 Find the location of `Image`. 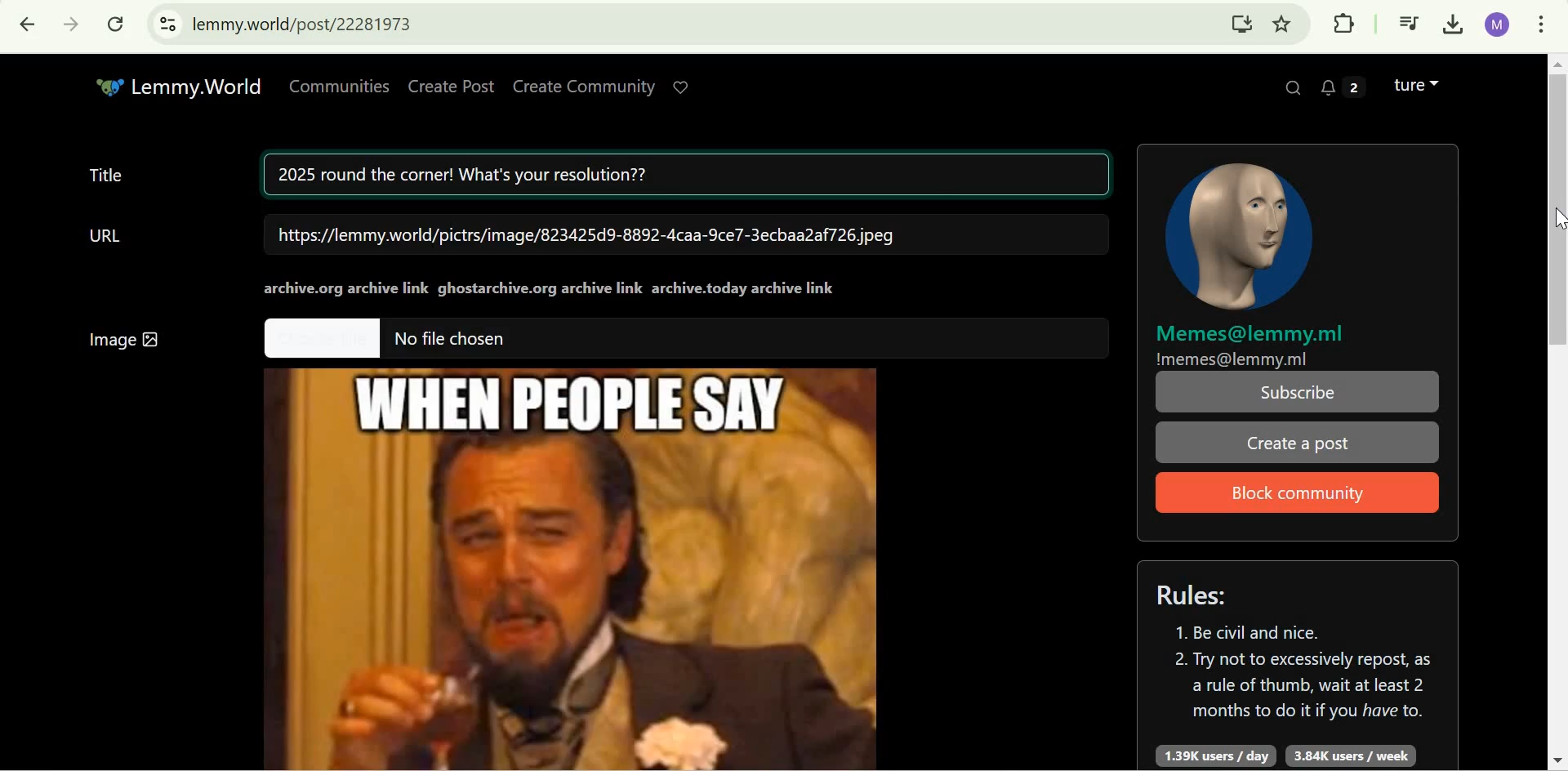

Image is located at coordinates (126, 334).